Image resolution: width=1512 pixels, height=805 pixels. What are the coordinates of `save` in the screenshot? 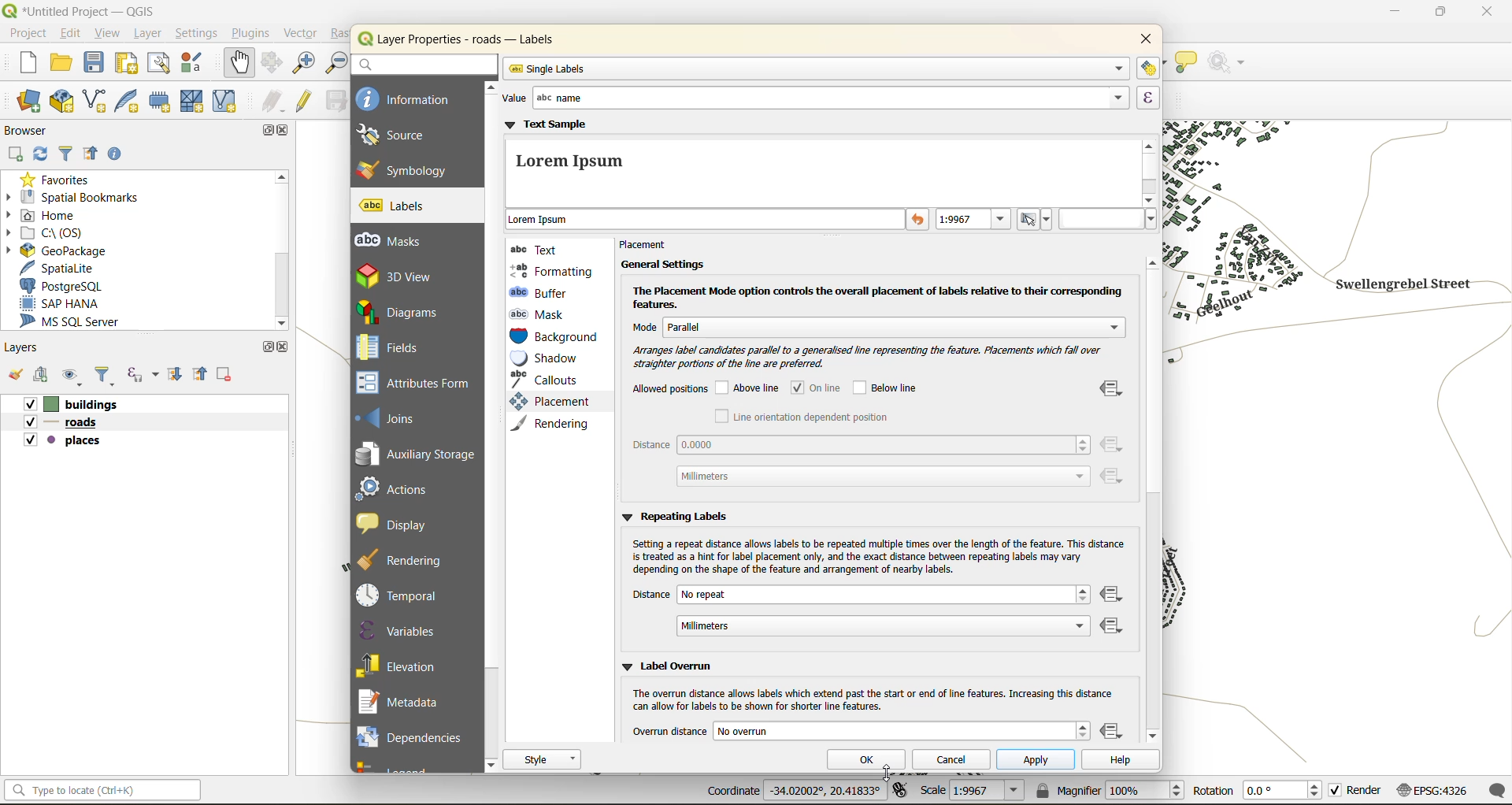 It's located at (94, 62).